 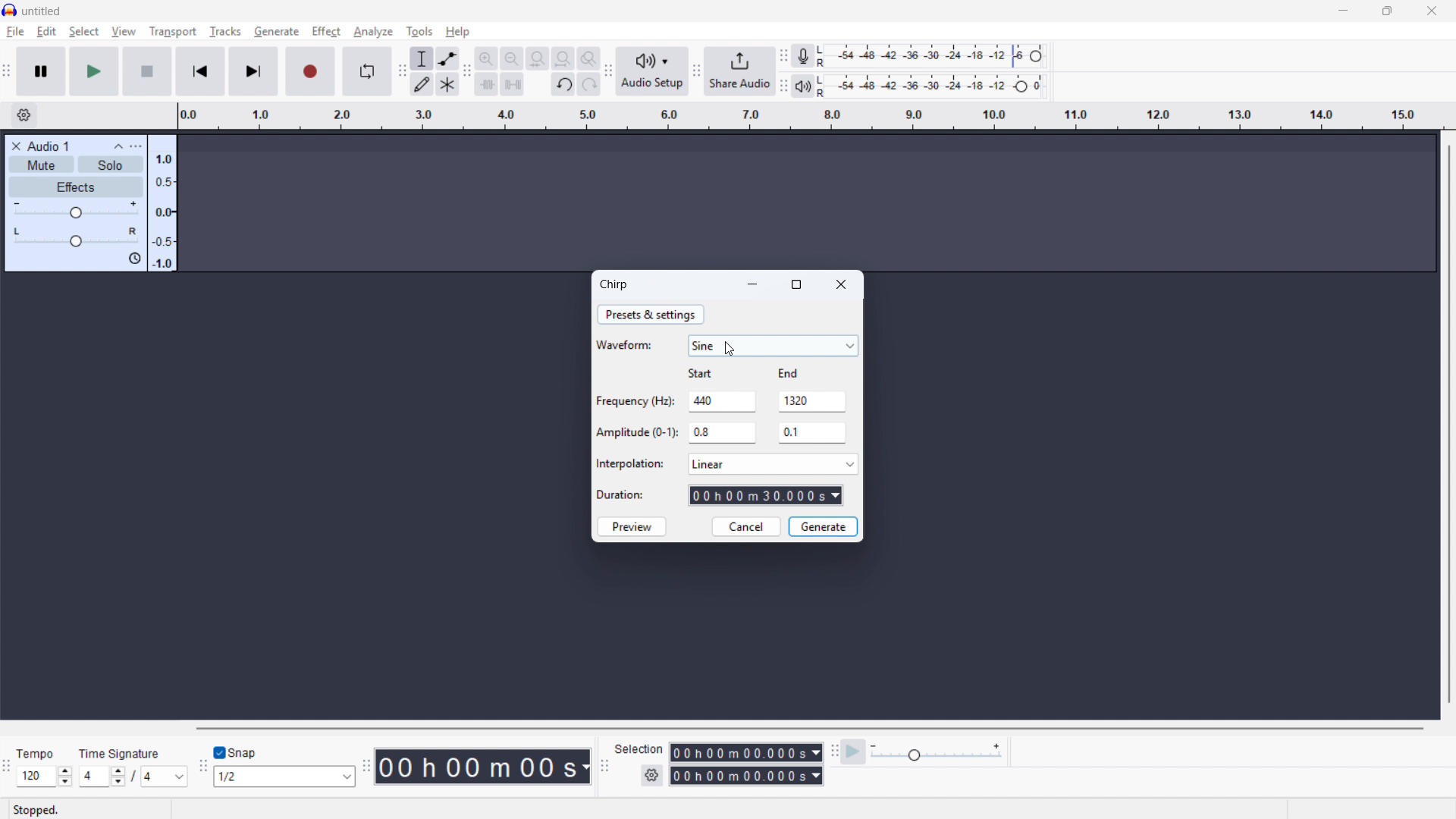 I want to click on Cursor, so click(x=730, y=350).